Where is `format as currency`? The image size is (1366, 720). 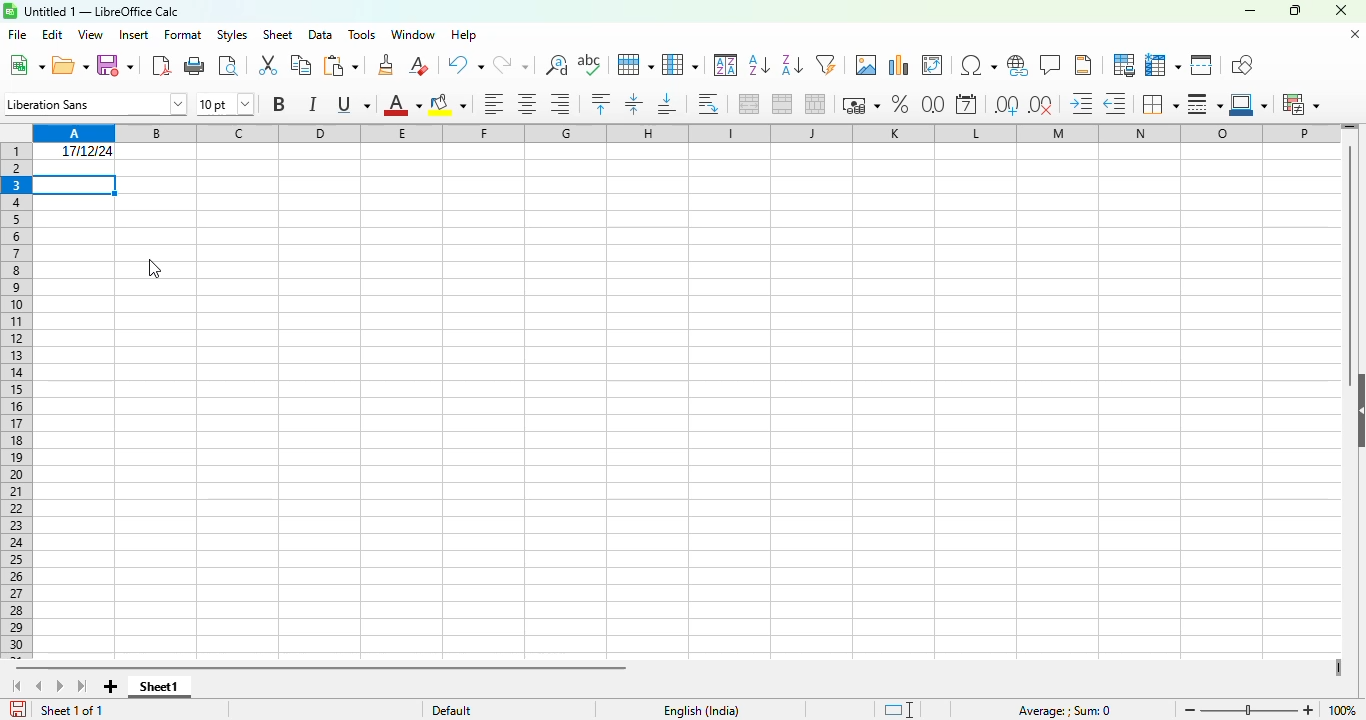
format as currency is located at coordinates (860, 105).